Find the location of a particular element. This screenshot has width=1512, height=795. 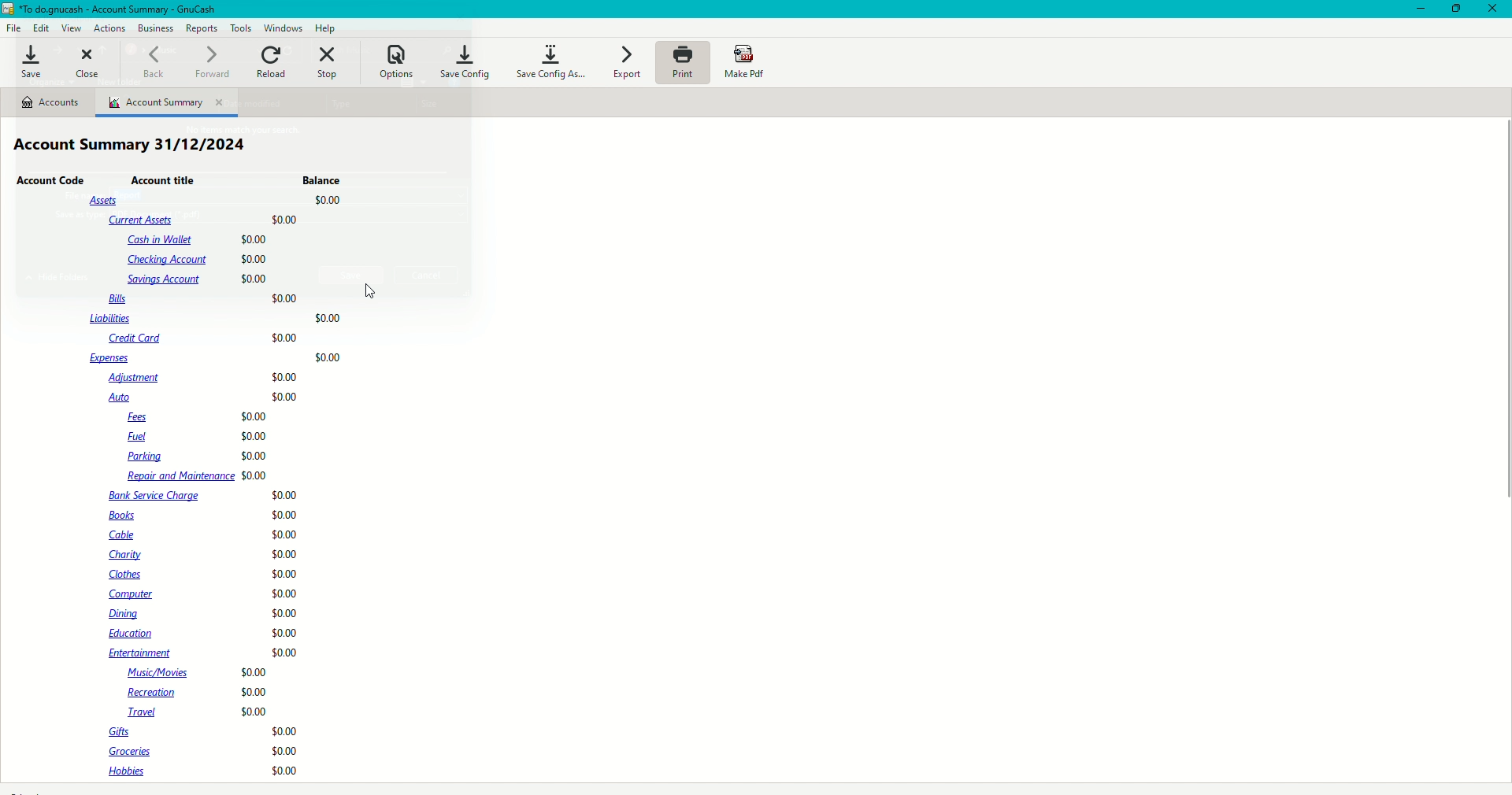

Save Config as is located at coordinates (550, 60).